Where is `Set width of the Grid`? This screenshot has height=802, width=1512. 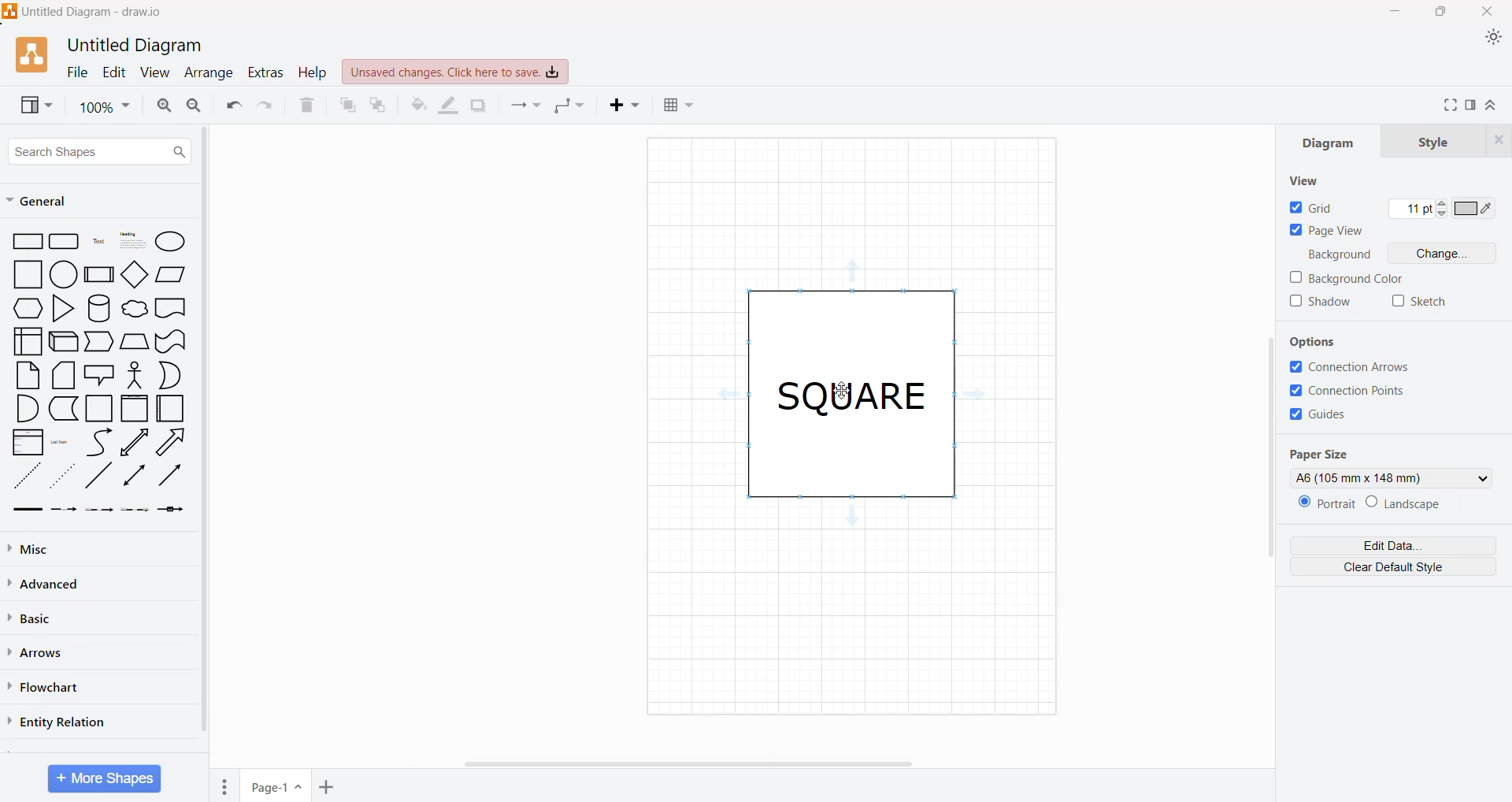 Set width of the Grid is located at coordinates (1417, 210).